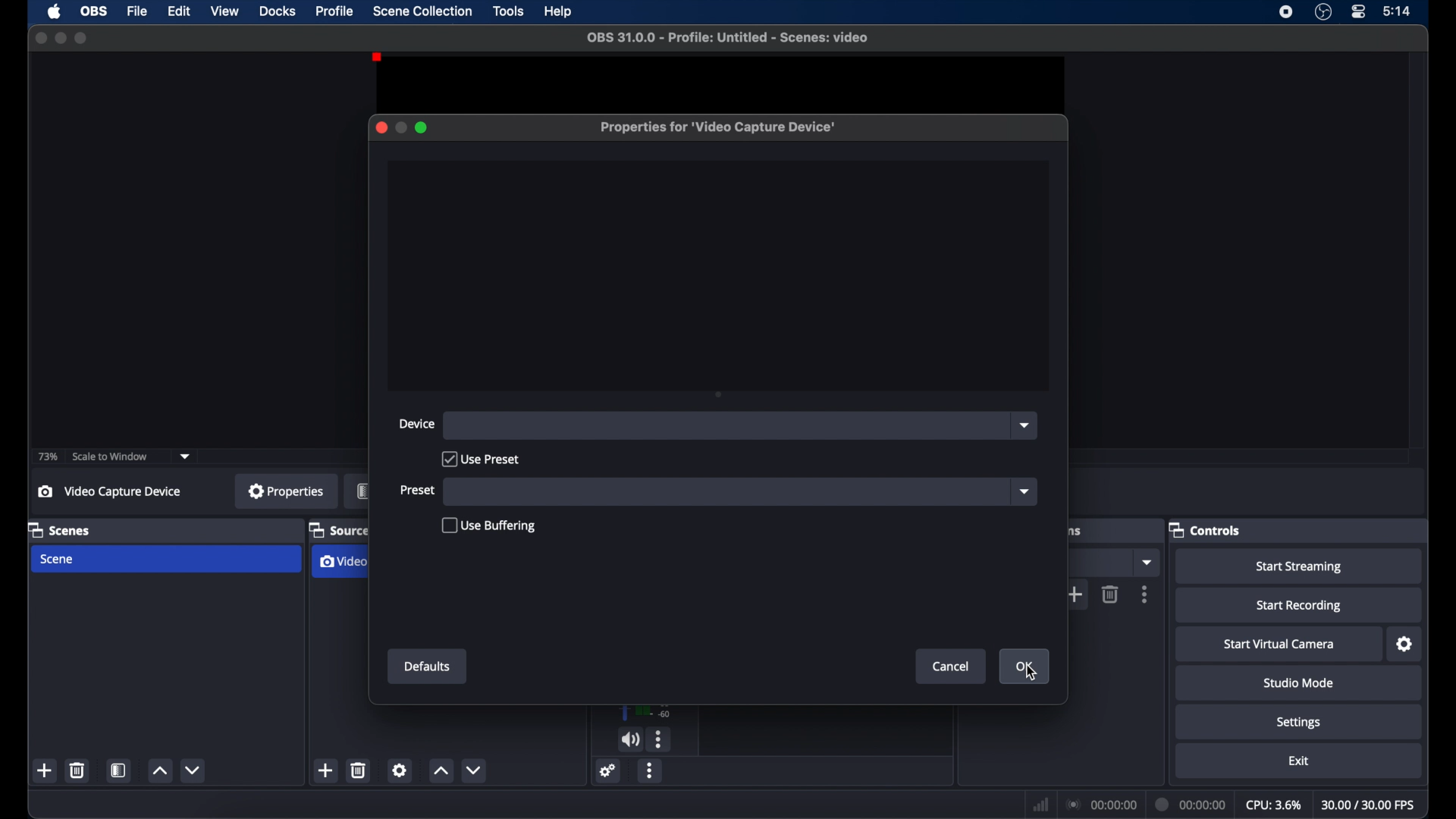 The height and width of the screenshot is (819, 1456). Describe the element at coordinates (488, 526) in the screenshot. I see `use buffering` at that location.